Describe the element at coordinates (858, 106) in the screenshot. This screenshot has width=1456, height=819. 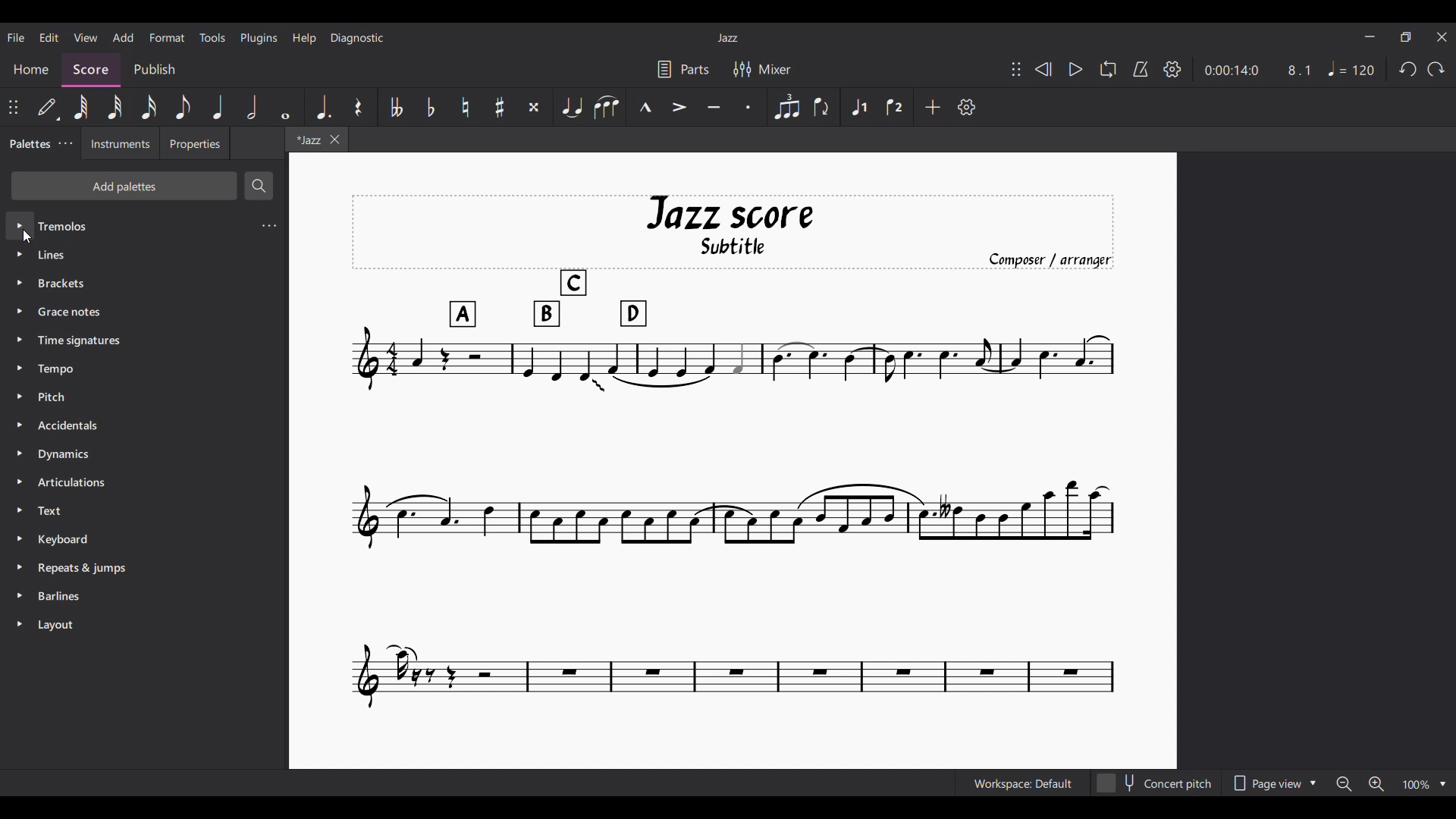
I see `Voice 1` at that location.